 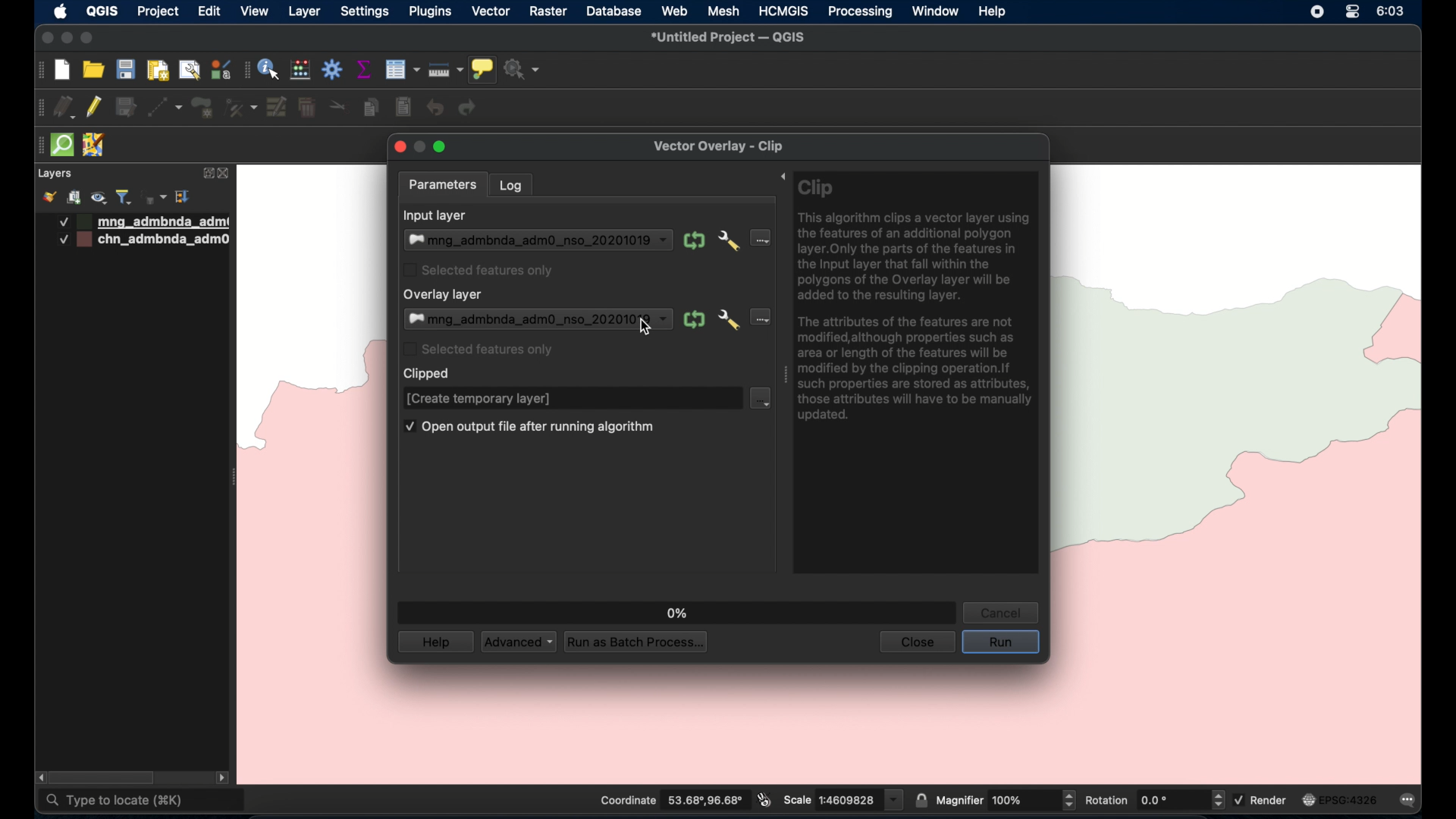 I want to click on modify attributes, so click(x=278, y=108).